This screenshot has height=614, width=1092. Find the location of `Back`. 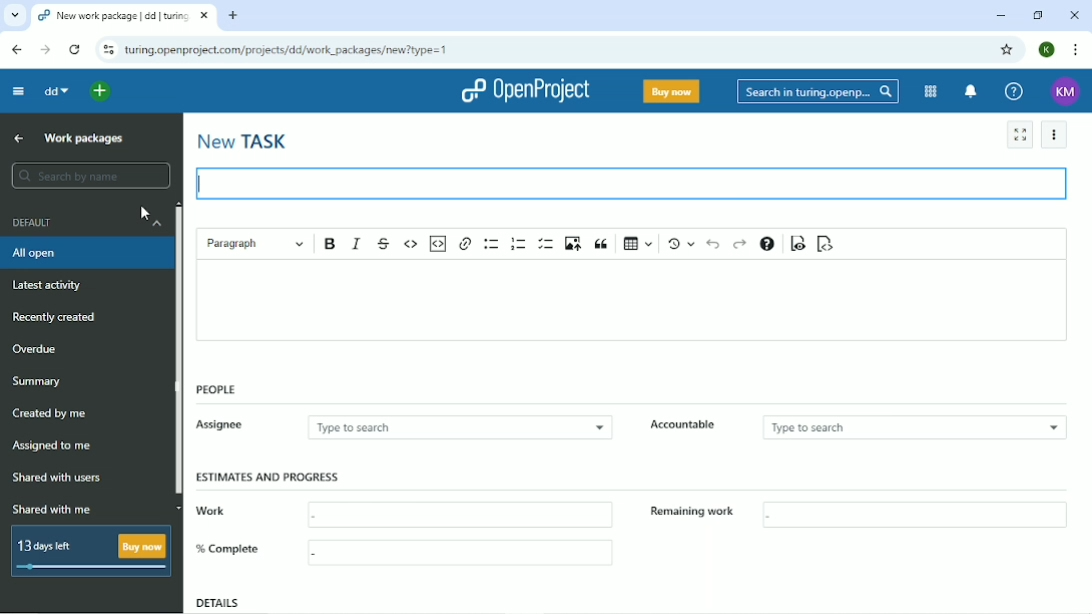

Back is located at coordinates (18, 140).